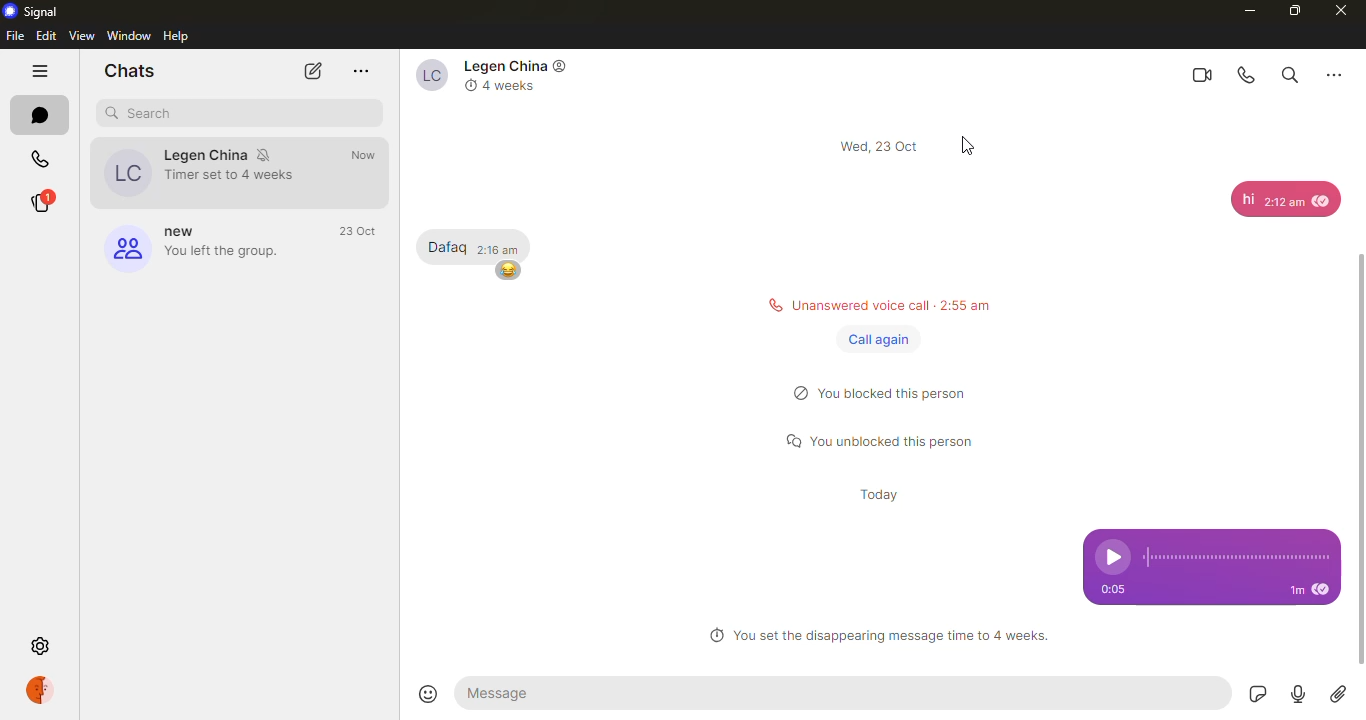 This screenshot has height=720, width=1366. Describe the element at coordinates (1239, 557) in the screenshot. I see `track` at that location.